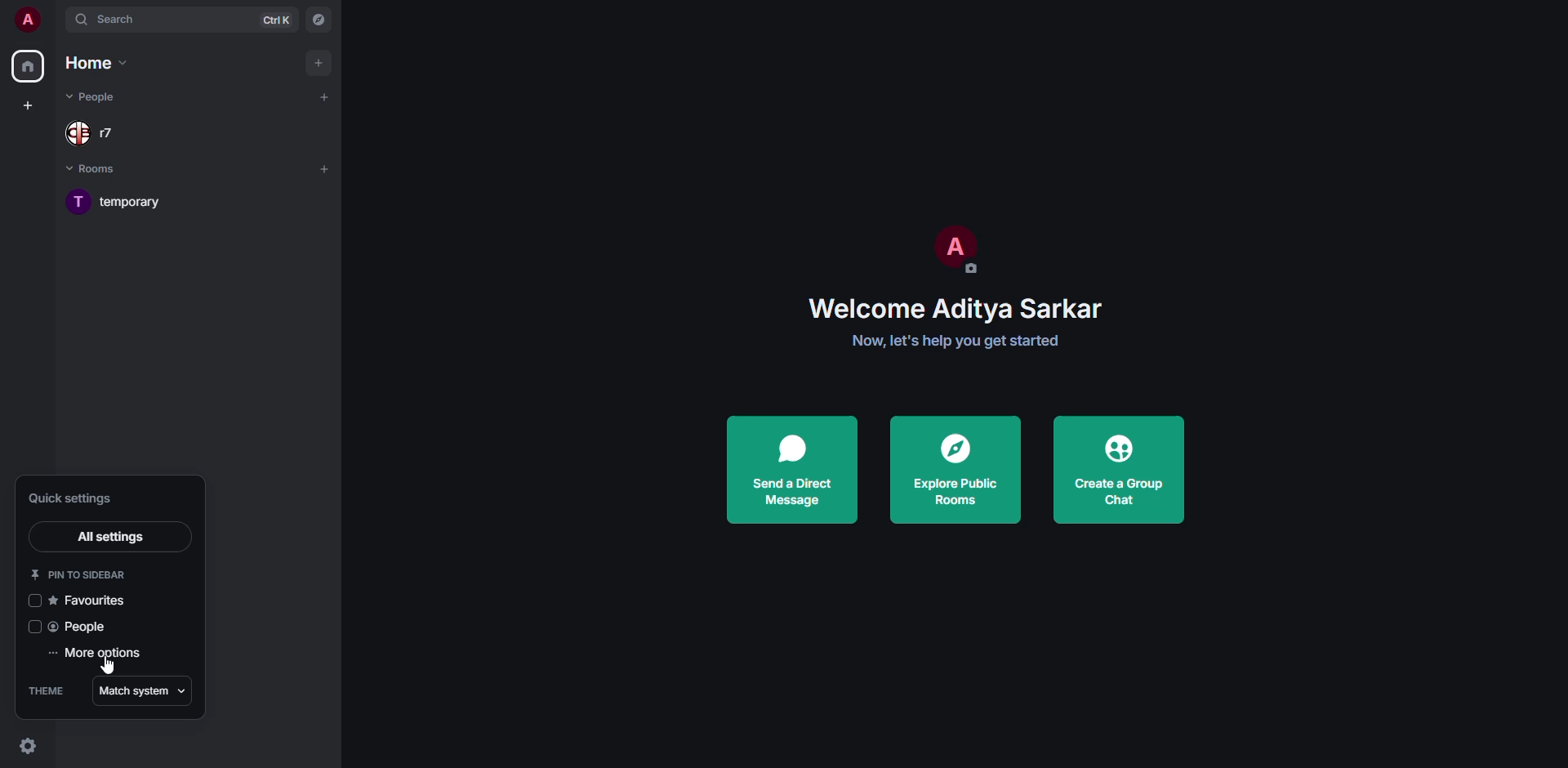 Image resolution: width=1568 pixels, height=768 pixels. I want to click on more options, so click(96, 653).